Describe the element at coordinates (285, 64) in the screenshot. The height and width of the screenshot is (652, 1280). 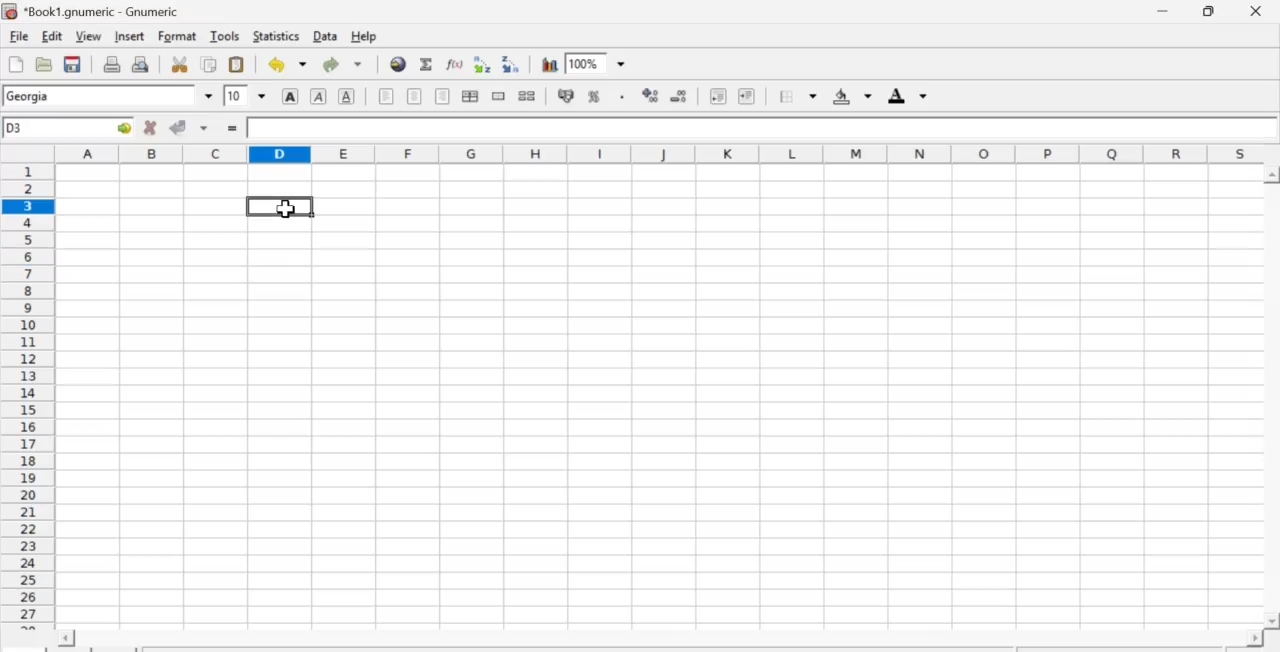
I see `Undo` at that location.